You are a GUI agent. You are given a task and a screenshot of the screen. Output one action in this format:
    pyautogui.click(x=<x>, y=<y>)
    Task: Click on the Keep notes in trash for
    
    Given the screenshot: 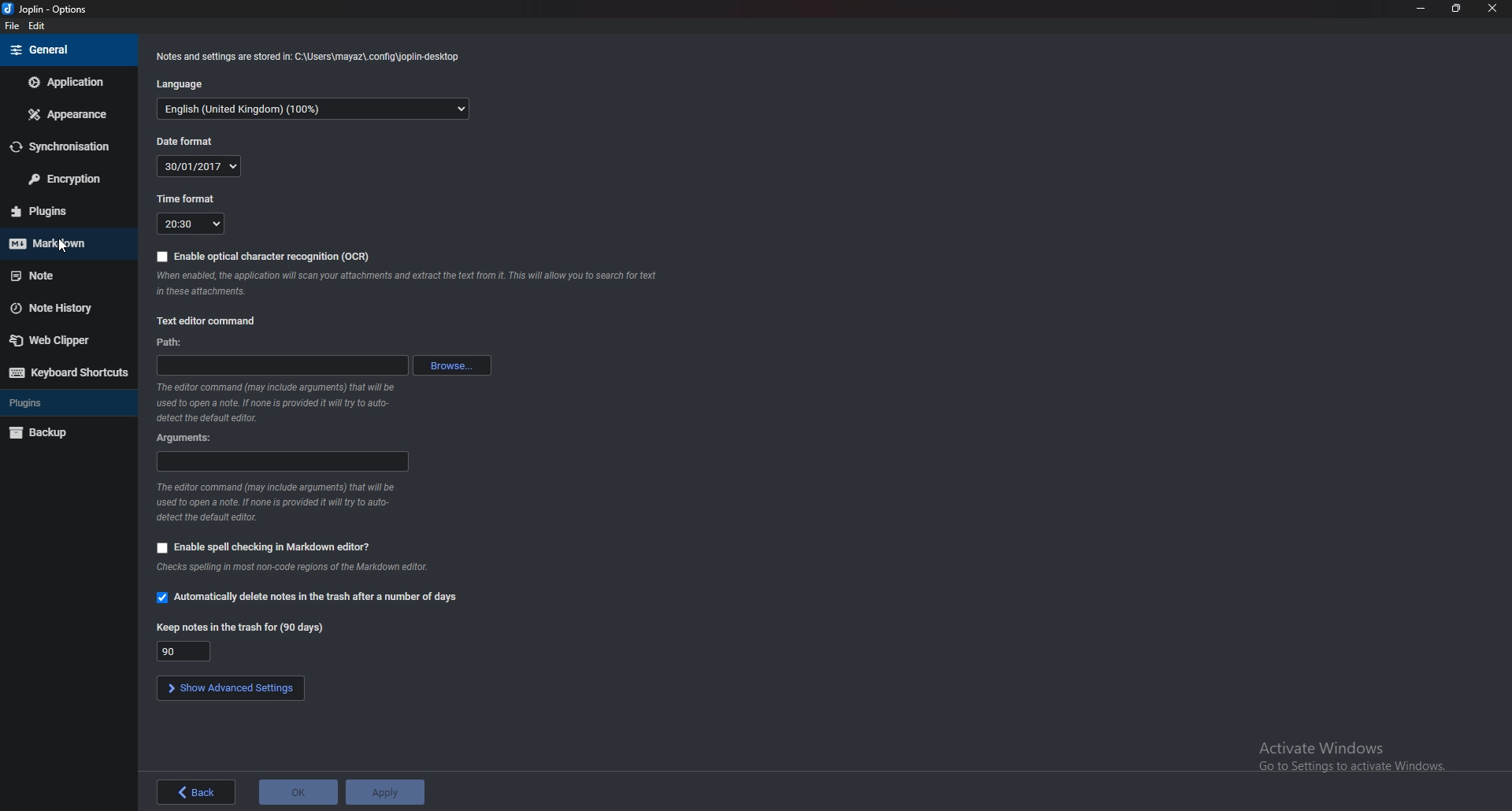 What is the action you would take?
    pyautogui.click(x=185, y=650)
    